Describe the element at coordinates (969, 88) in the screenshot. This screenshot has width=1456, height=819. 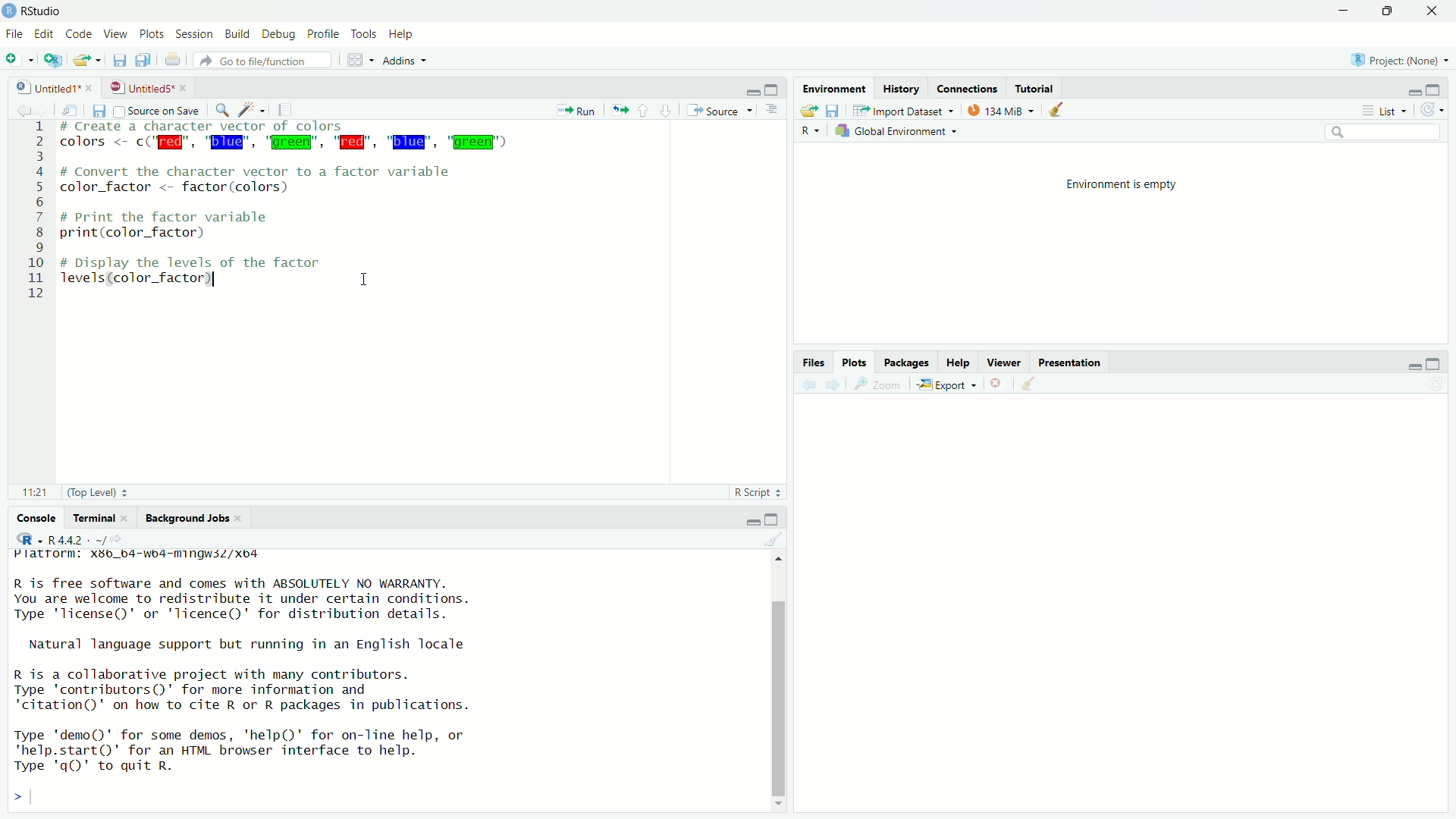
I see `Connections` at that location.